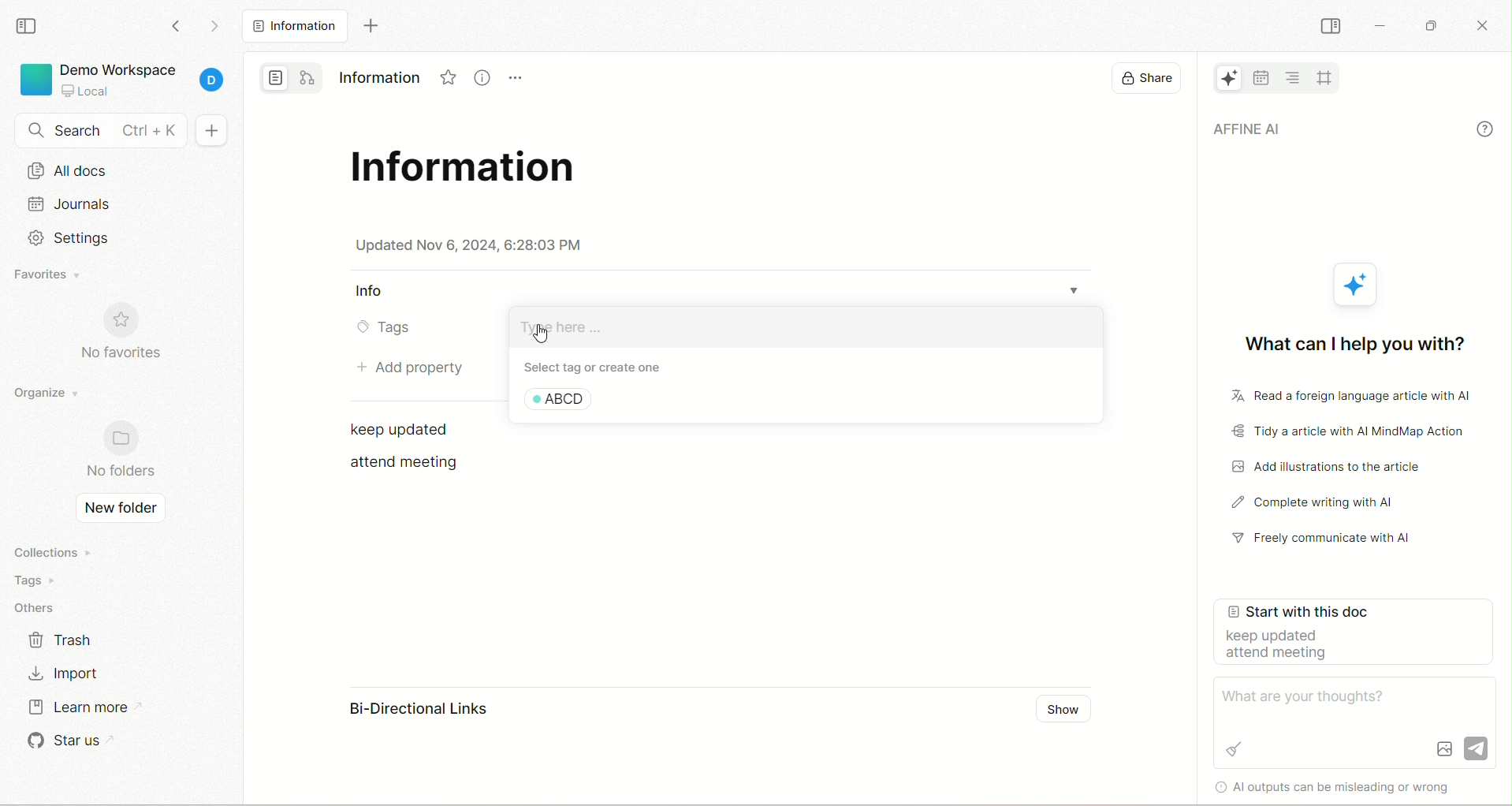  What do you see at coordinates (69, 238) in the screenshot?
I see `Setting` at bounding box center [69, 238].